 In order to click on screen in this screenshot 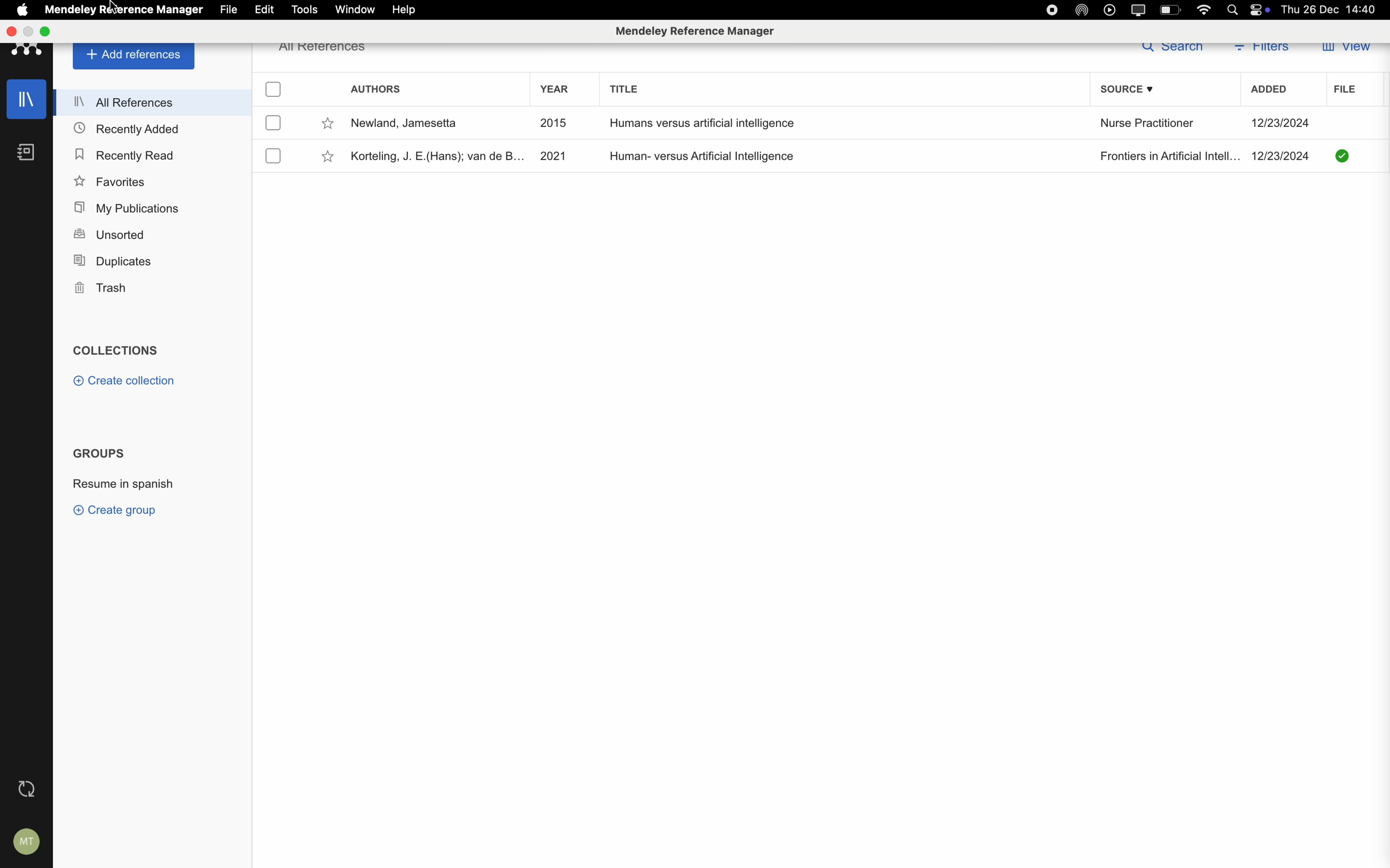, I will do `click(1141, 9)`.